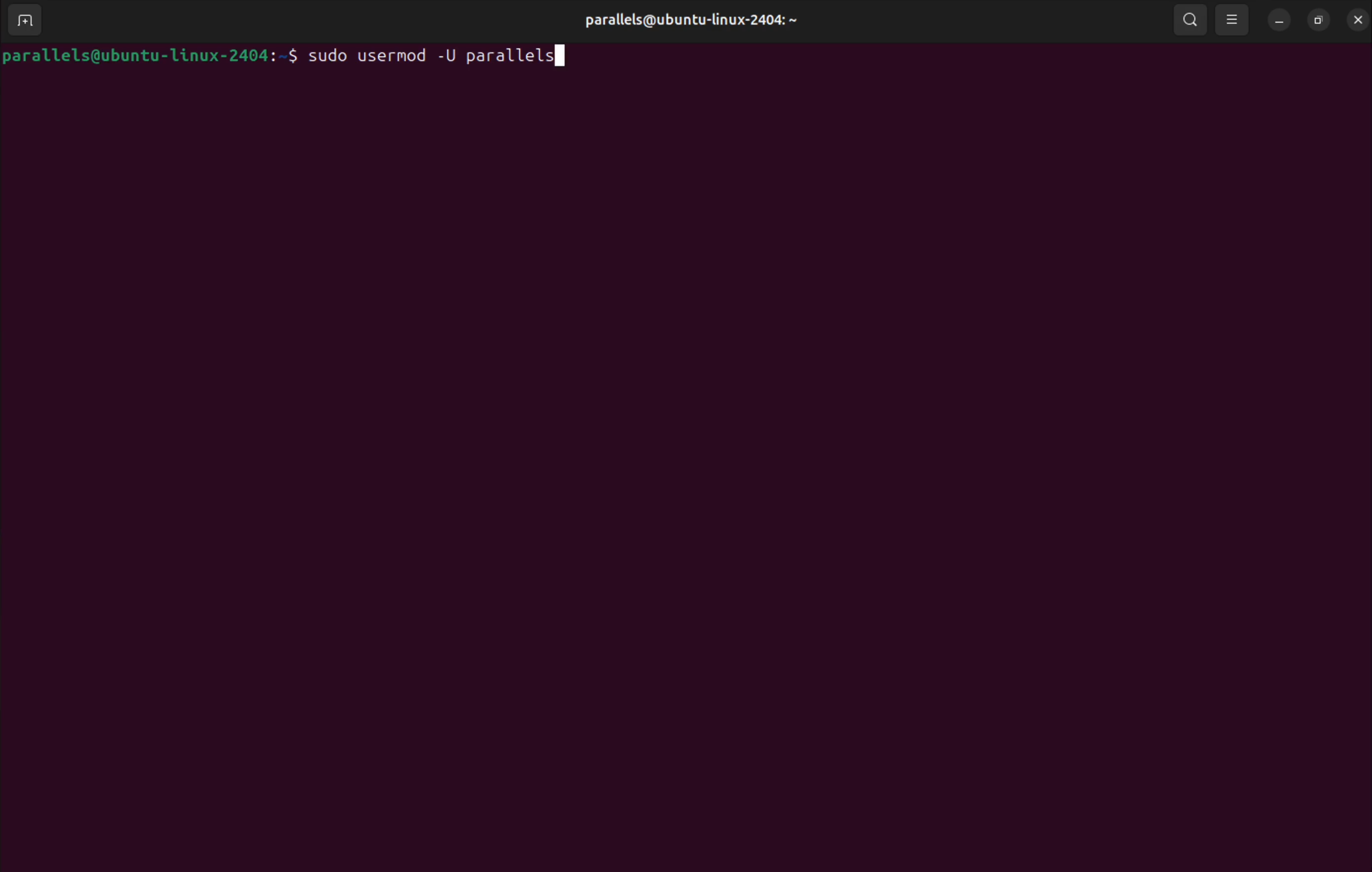  Describe the element at coordinates (30, 21) in the screenshot. I see `add terminal window` at that location.